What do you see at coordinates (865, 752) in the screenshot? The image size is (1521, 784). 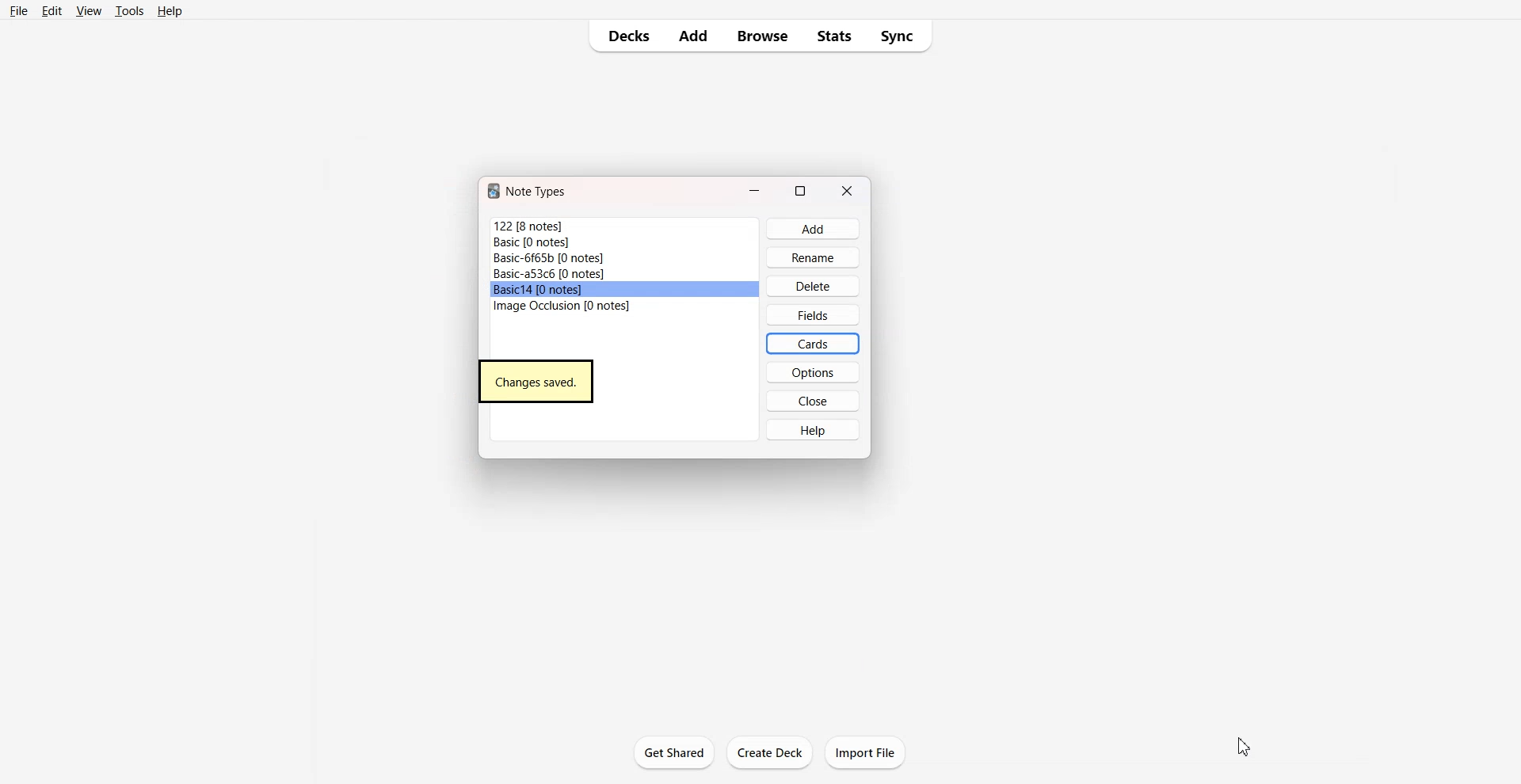 I see `Import File` at bounding box center [865, 752].